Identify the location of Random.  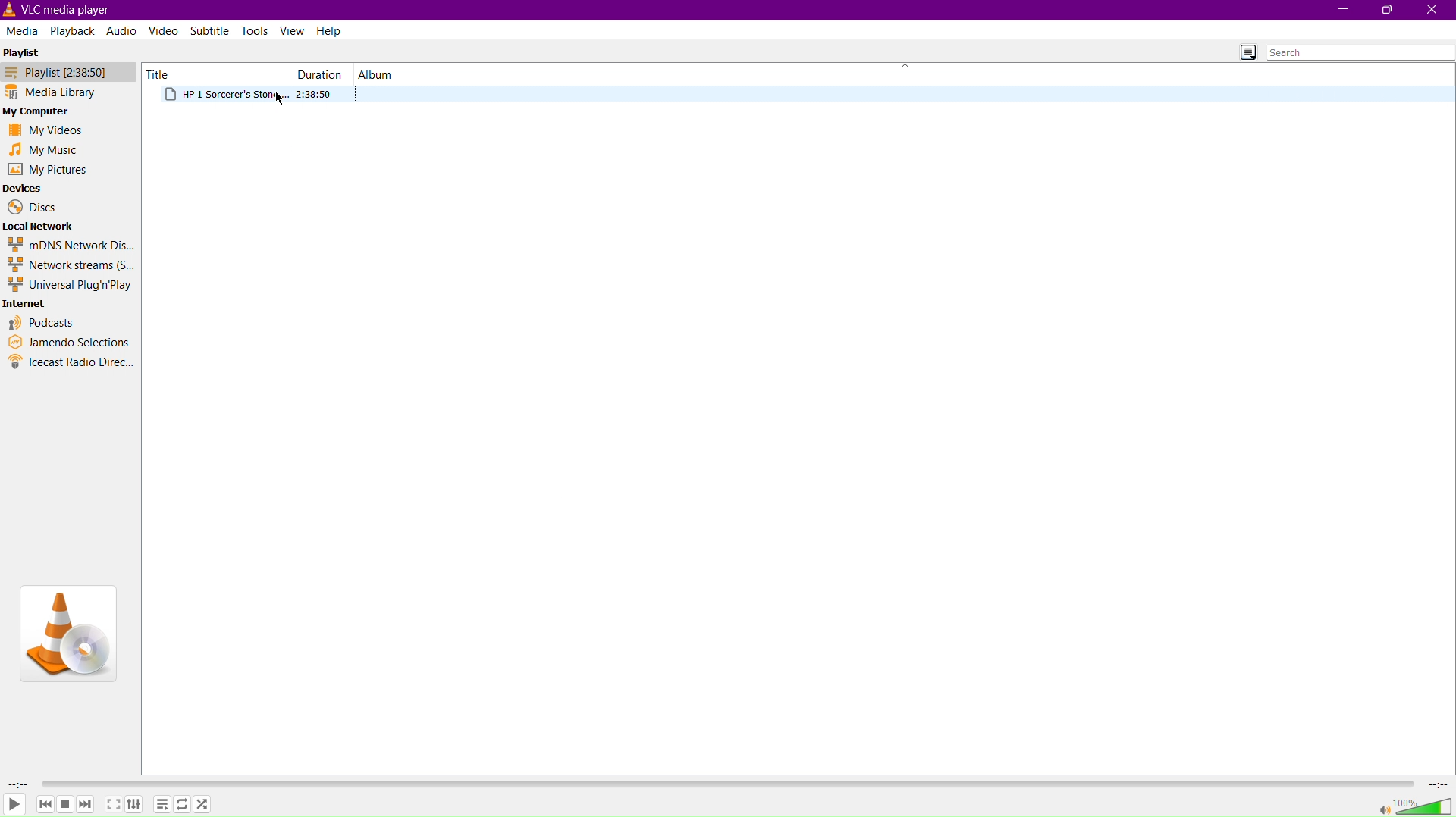
(204, 803).